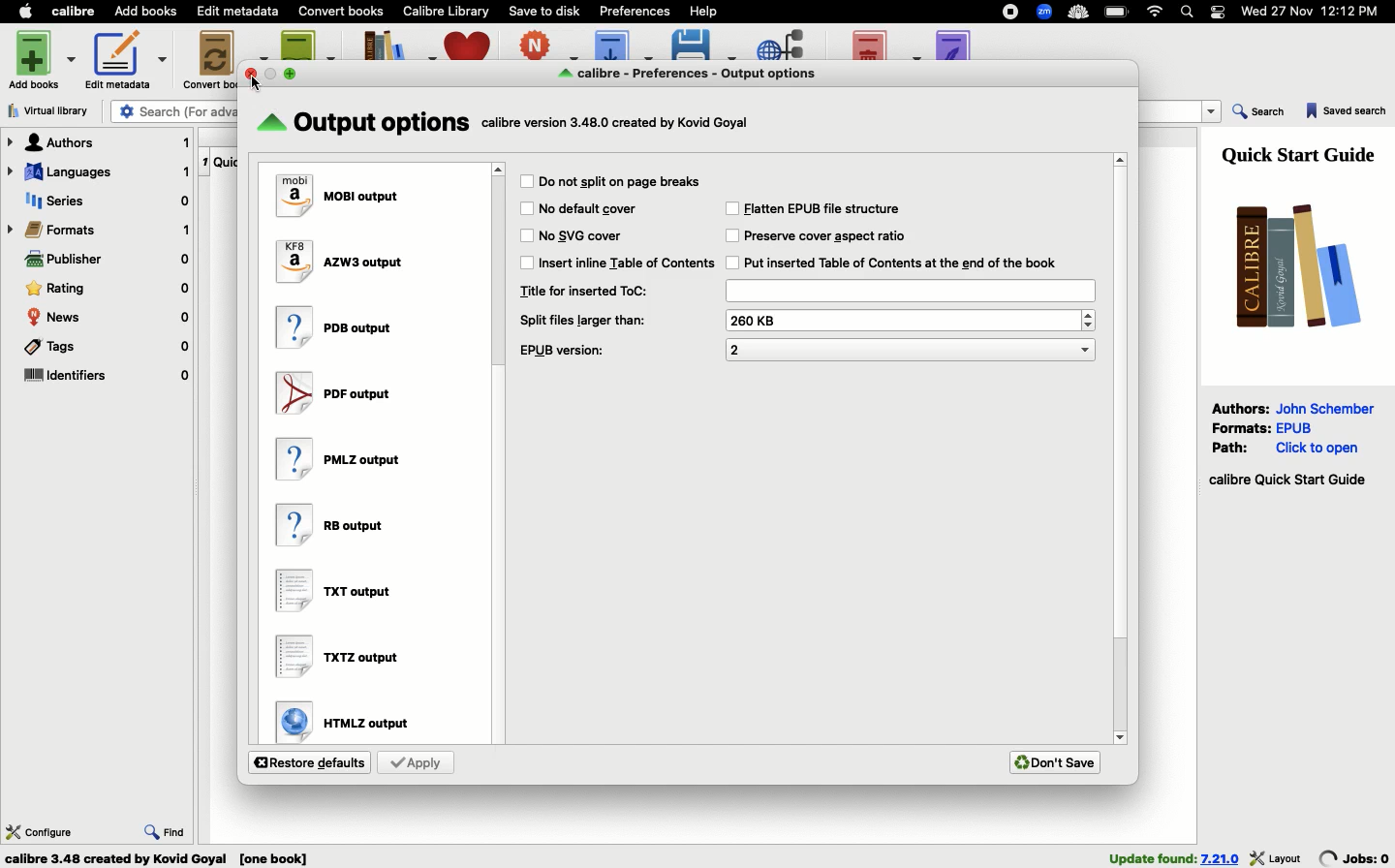  Describe the element at coordinates (1303, 153) in the screenshot. I see `Guide` at that location.